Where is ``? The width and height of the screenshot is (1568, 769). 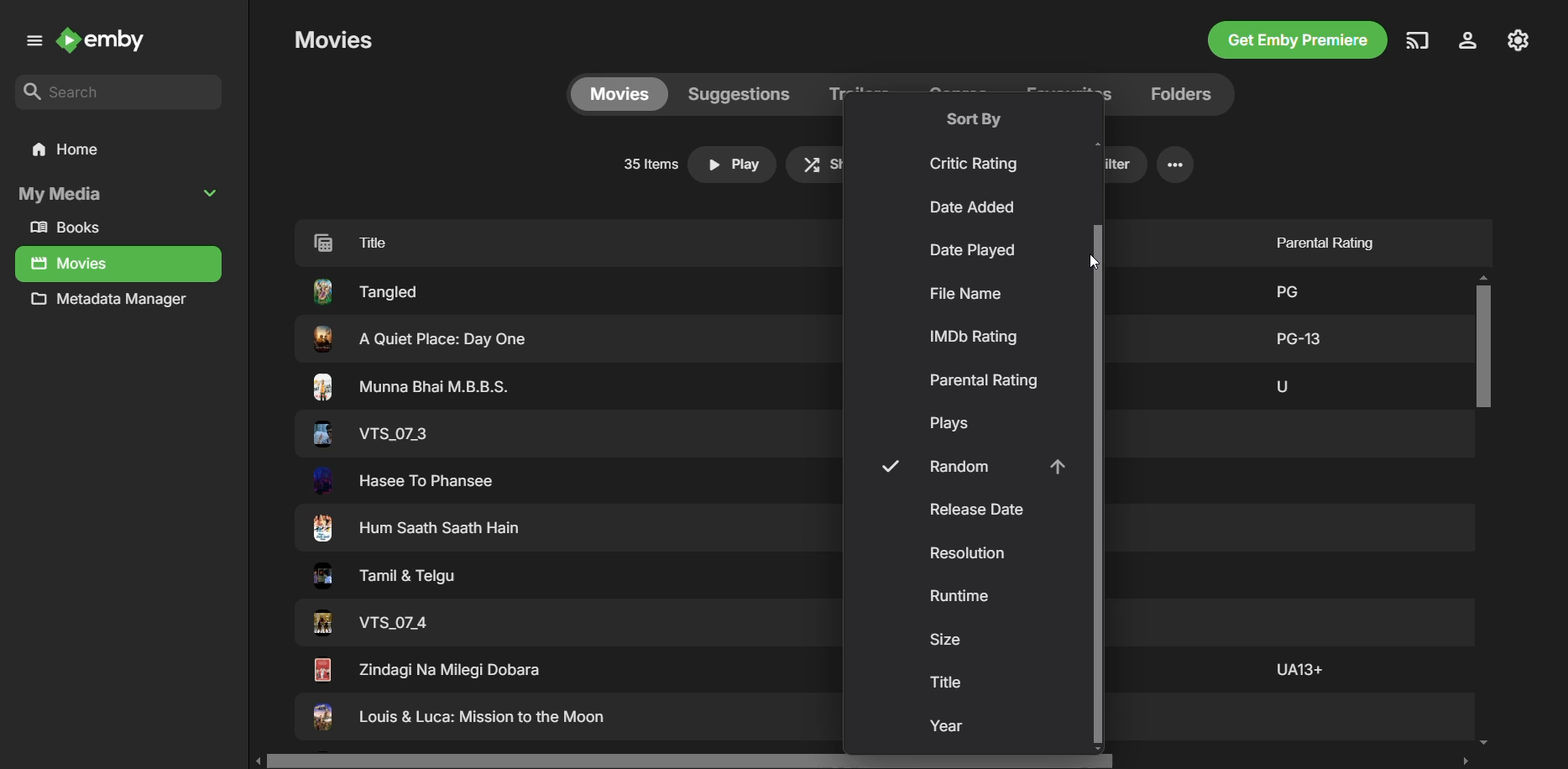  is located at coordinates (1283, 288).